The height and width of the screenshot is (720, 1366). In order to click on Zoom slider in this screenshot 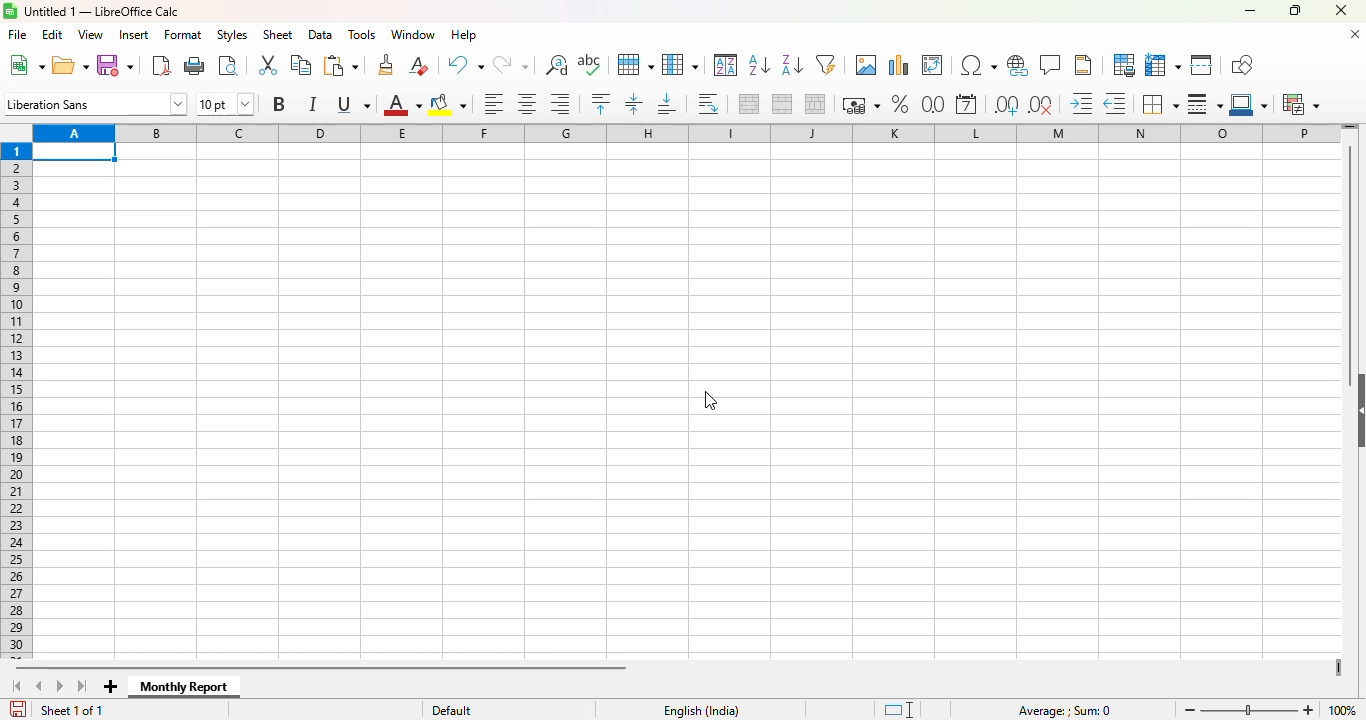, I will do `click(1249, 711)`.